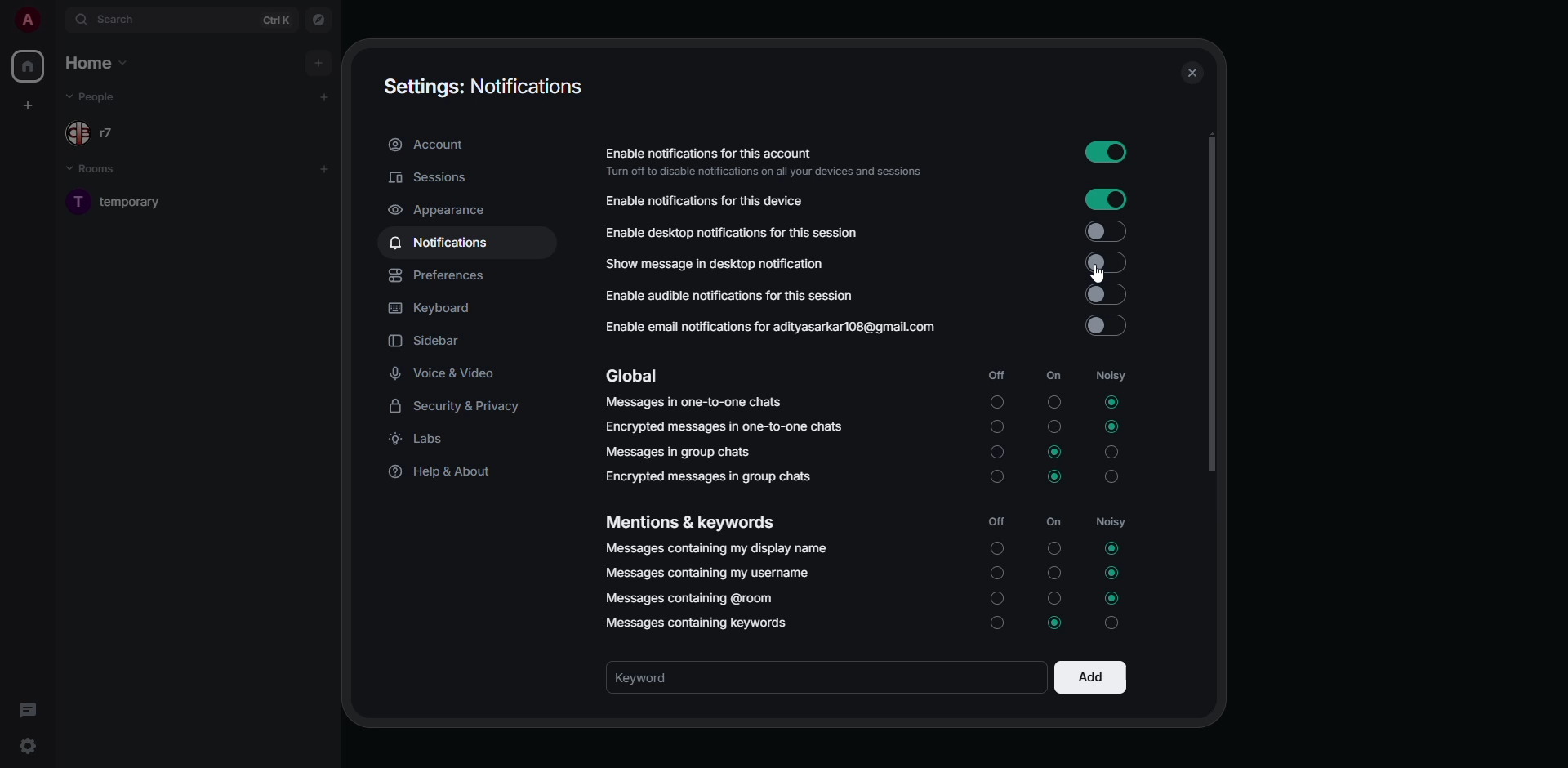  Describe the element at coordinates (446, 373) in the screenshot. I see `voice & video` at that location.